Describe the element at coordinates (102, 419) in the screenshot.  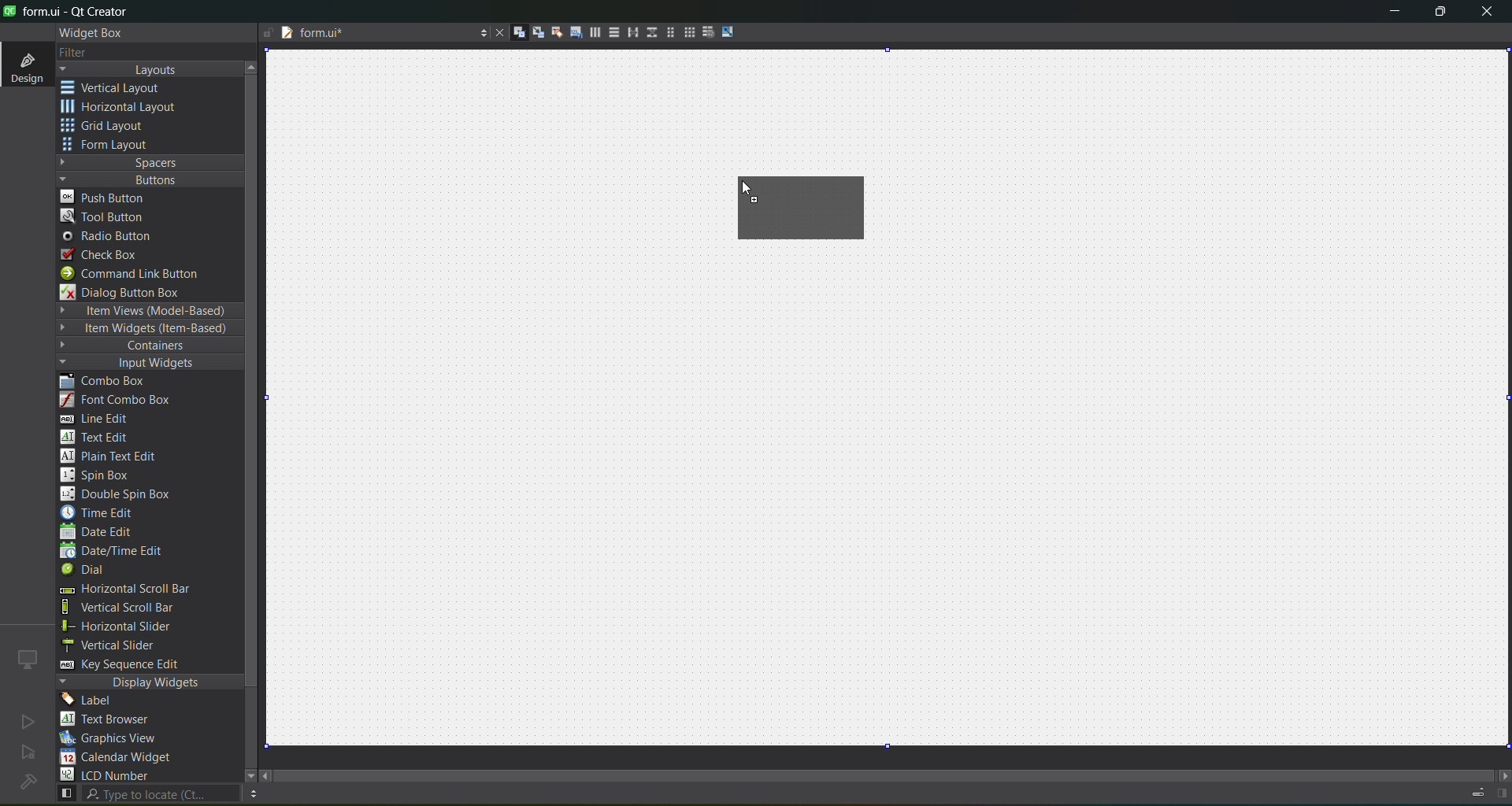
I see `line edit ` at that location.